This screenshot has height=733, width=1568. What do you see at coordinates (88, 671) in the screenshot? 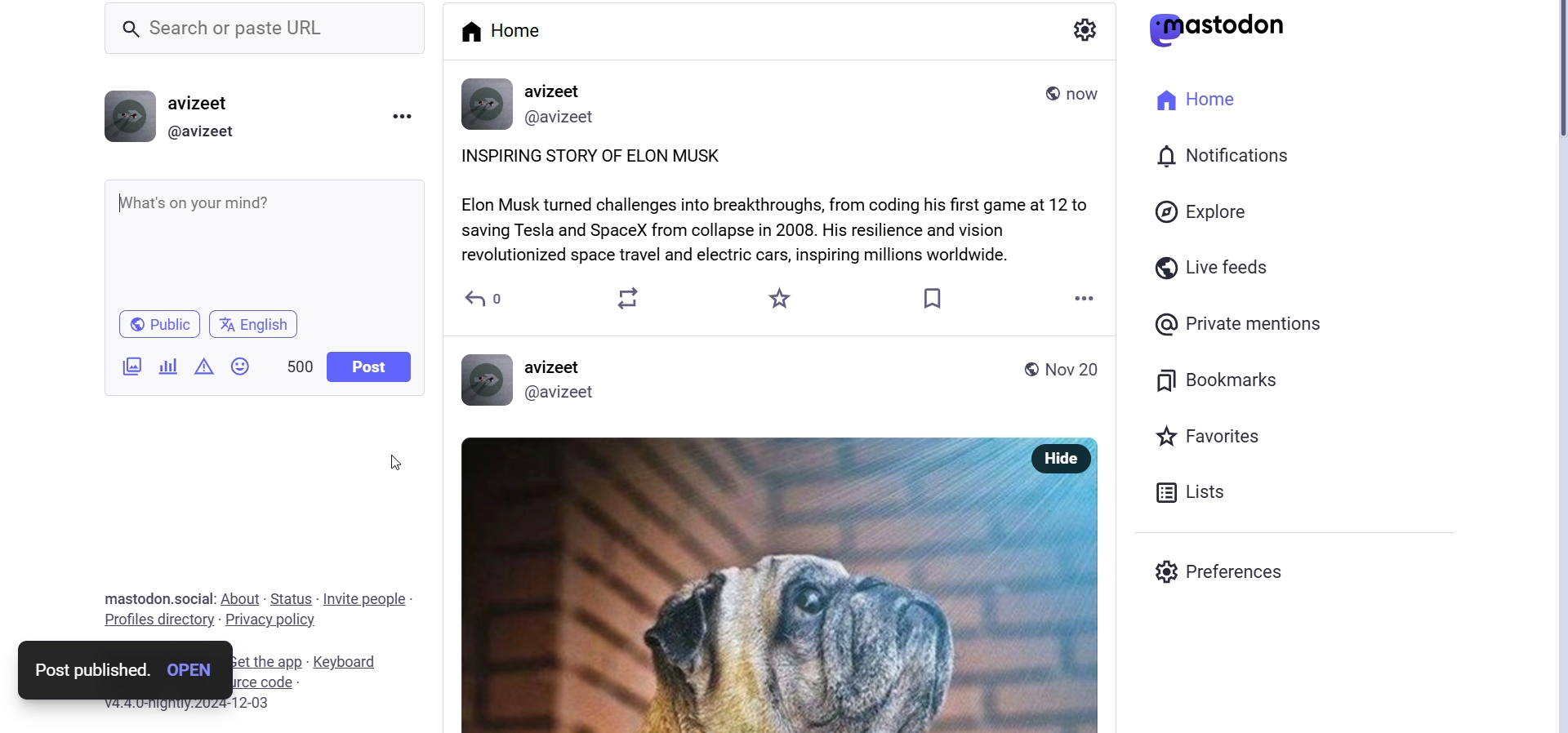
I see `post published` at bounding box center [88, 671].